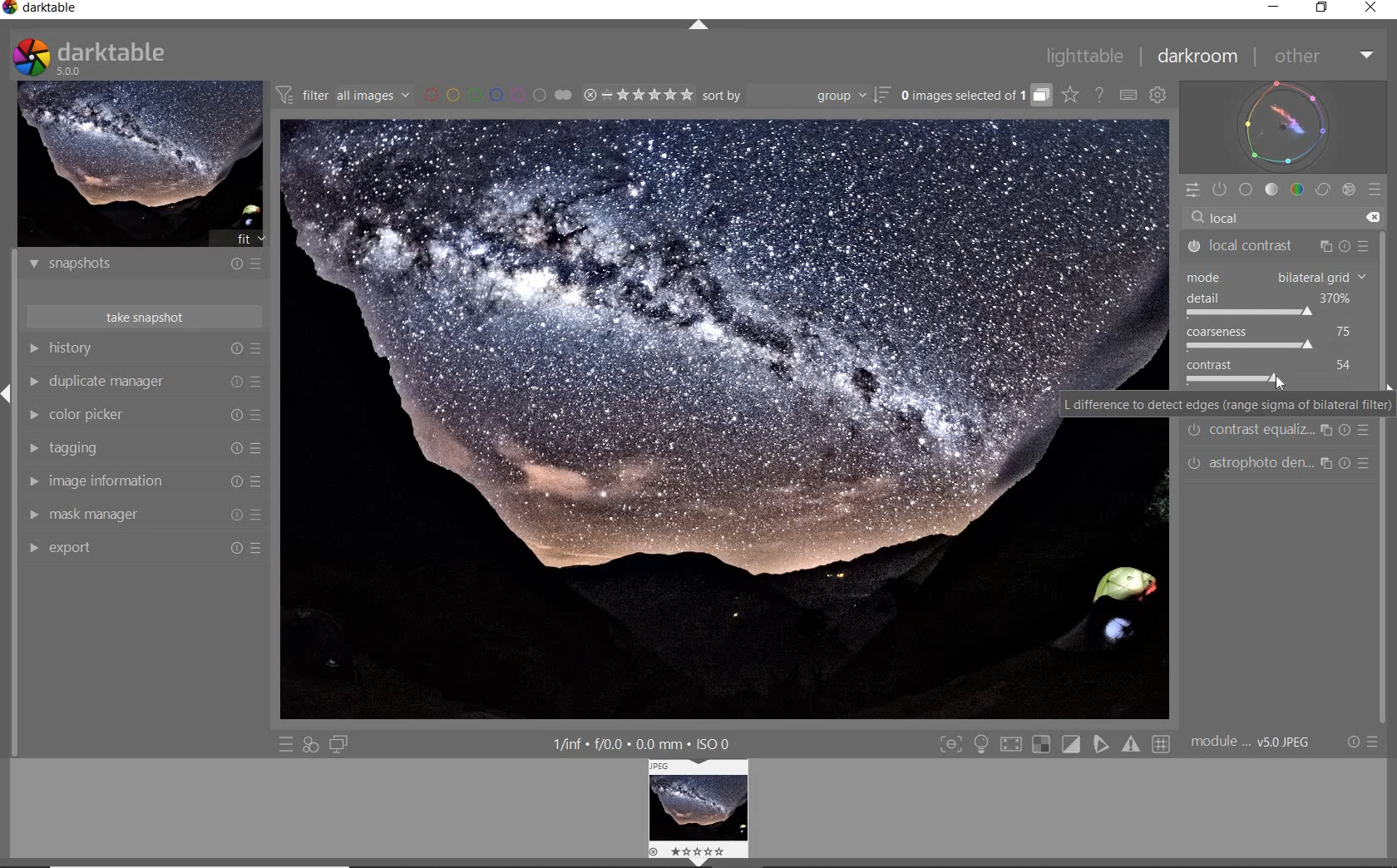 This screenshot has height=868, width=1397. I want to click on CLICK TO CHANGE THE OVERLAYS SHOWN ON THUMBNAILS, so click(1071, 96).